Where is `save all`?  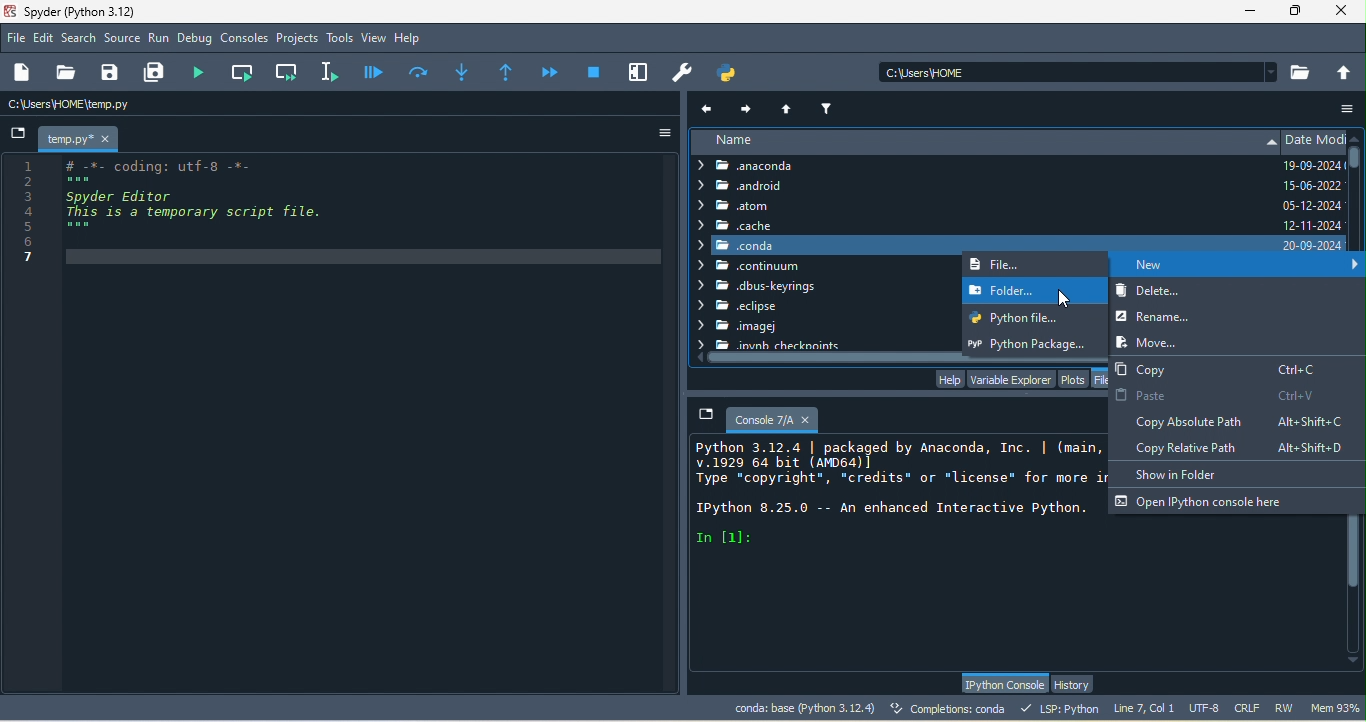
save all is located at coordinates (158, 73).